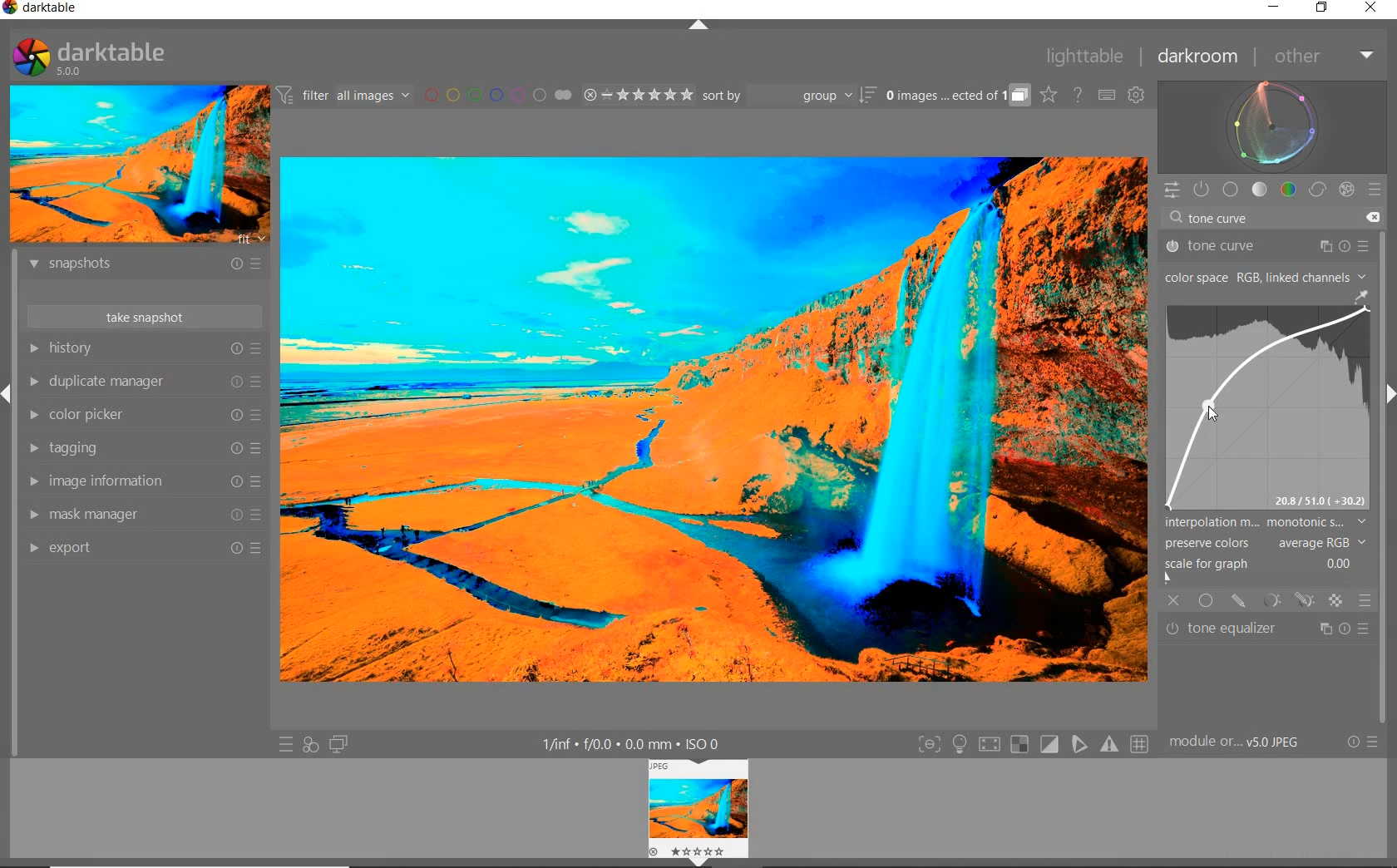 This screenshot has width=1397, height=868. What do you see at coordinates (1239, 743) in the screenshot?
I see `MODULE...v5.0 JPEG` at bounding box center [1239, 743].